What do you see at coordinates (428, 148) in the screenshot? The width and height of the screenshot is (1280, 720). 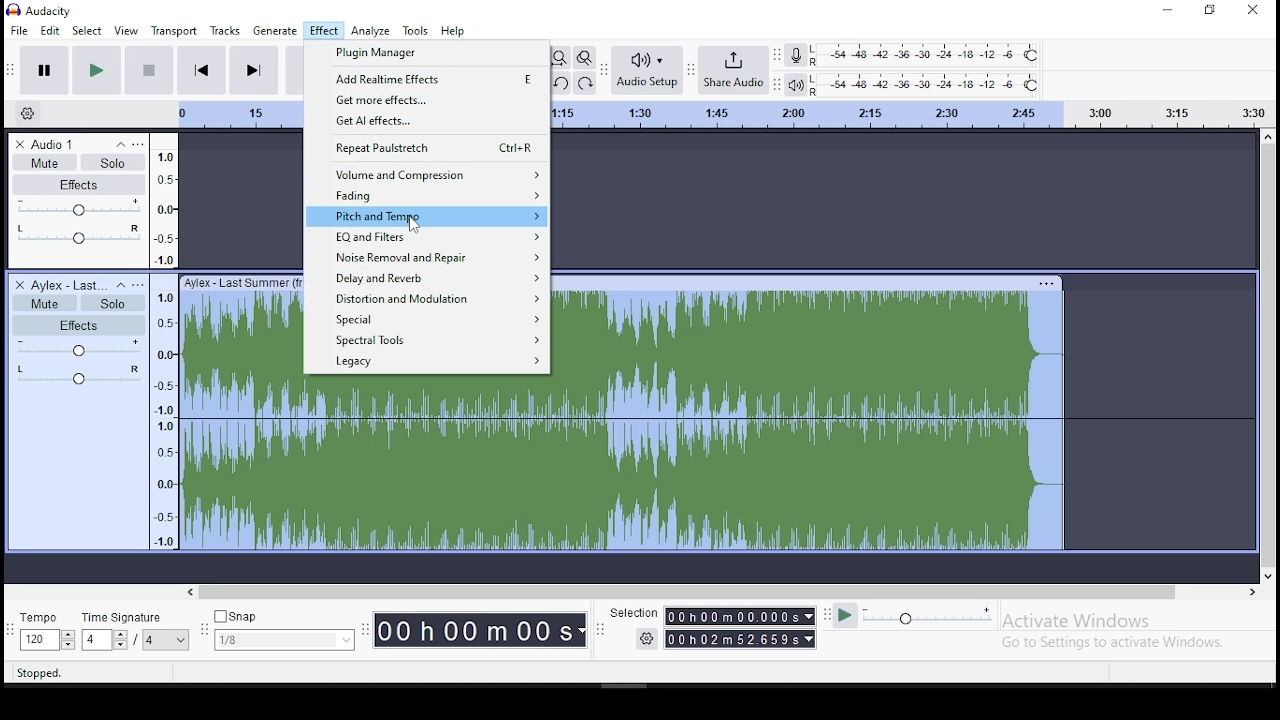 I see `repeat paulstretch` at bounding box center [428, 148].